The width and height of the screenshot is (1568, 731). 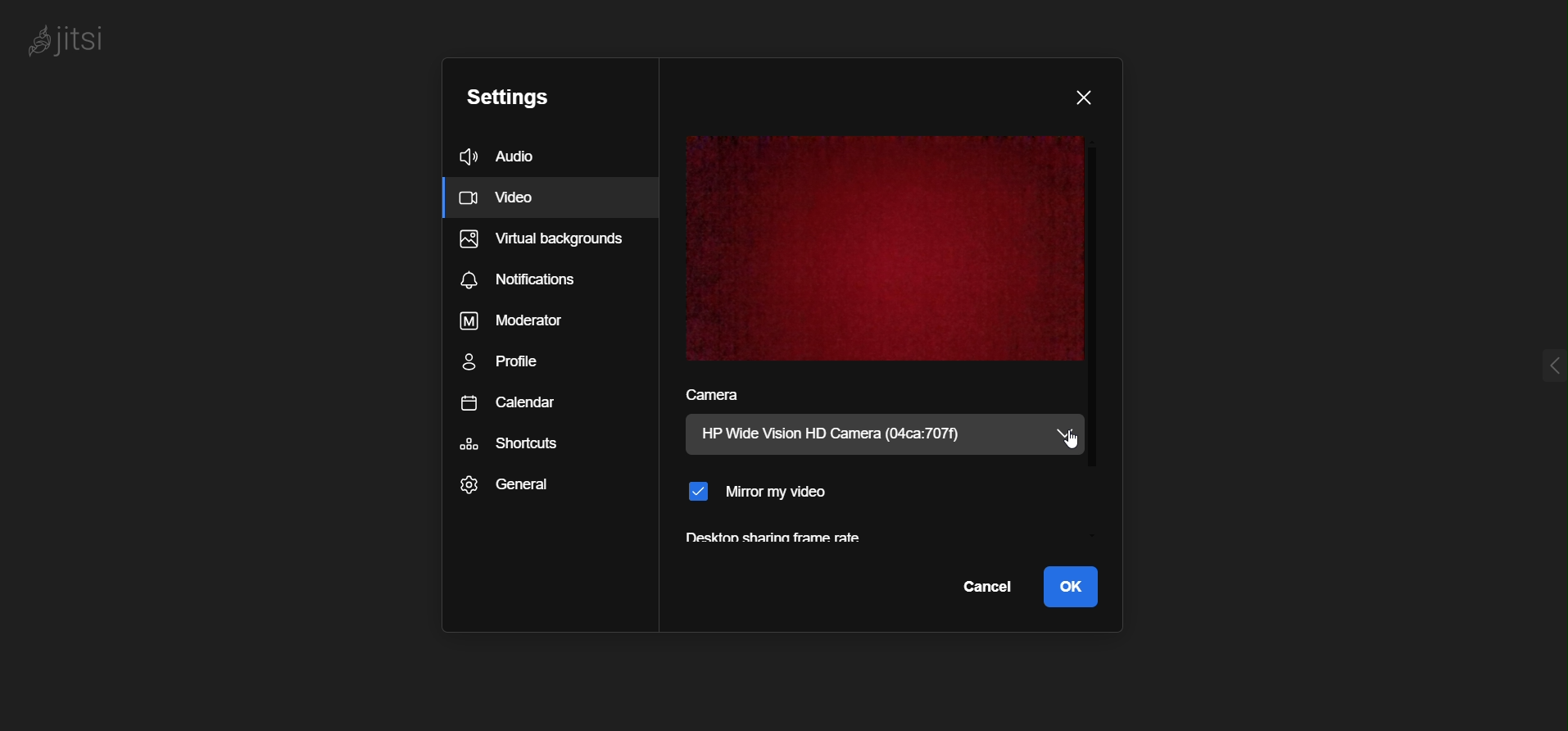 I want to click on cancel, so click(x=986, y=588).